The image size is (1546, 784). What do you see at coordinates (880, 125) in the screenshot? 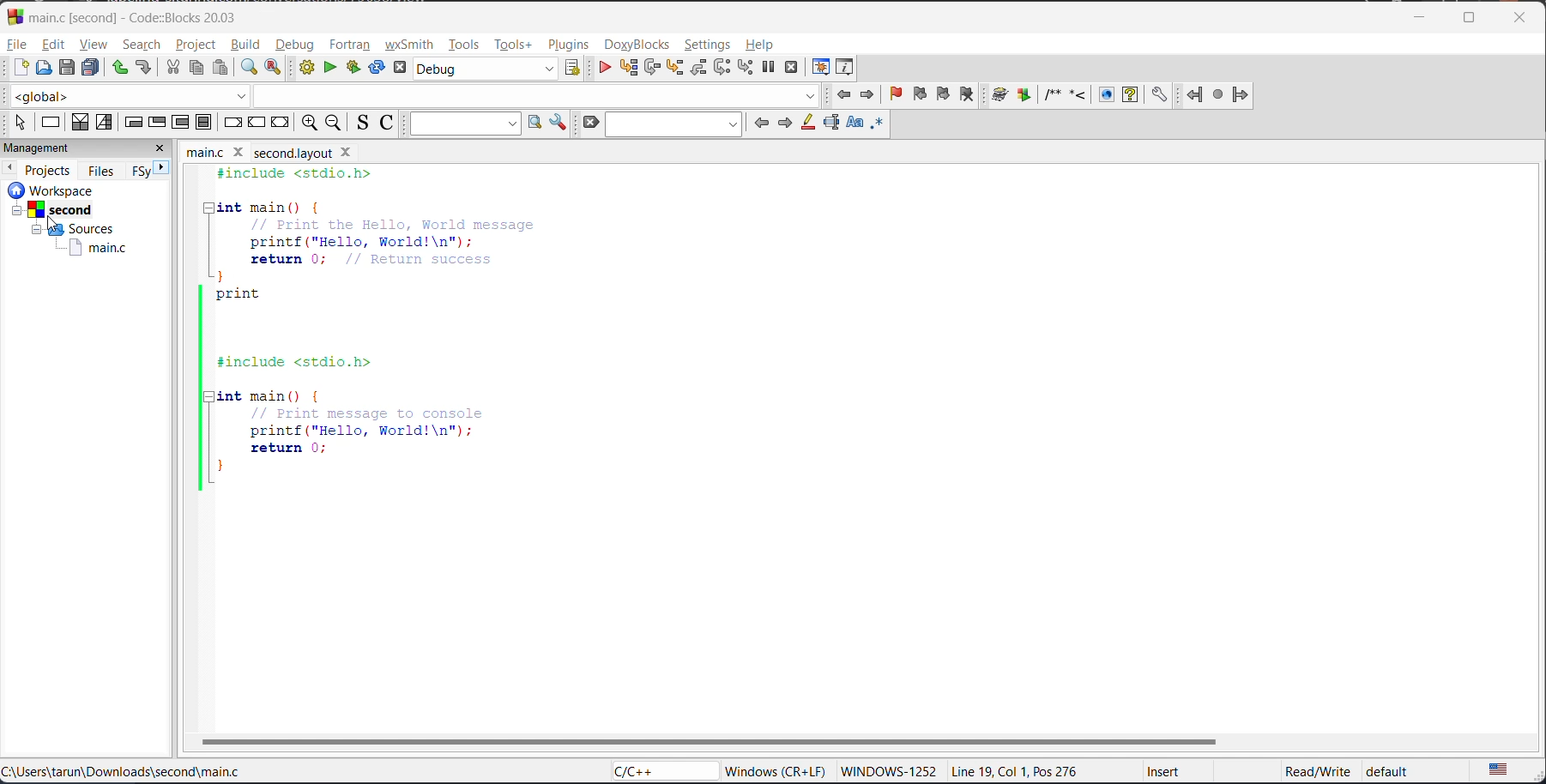
I see `use regex` at bounding box center [880, 125].